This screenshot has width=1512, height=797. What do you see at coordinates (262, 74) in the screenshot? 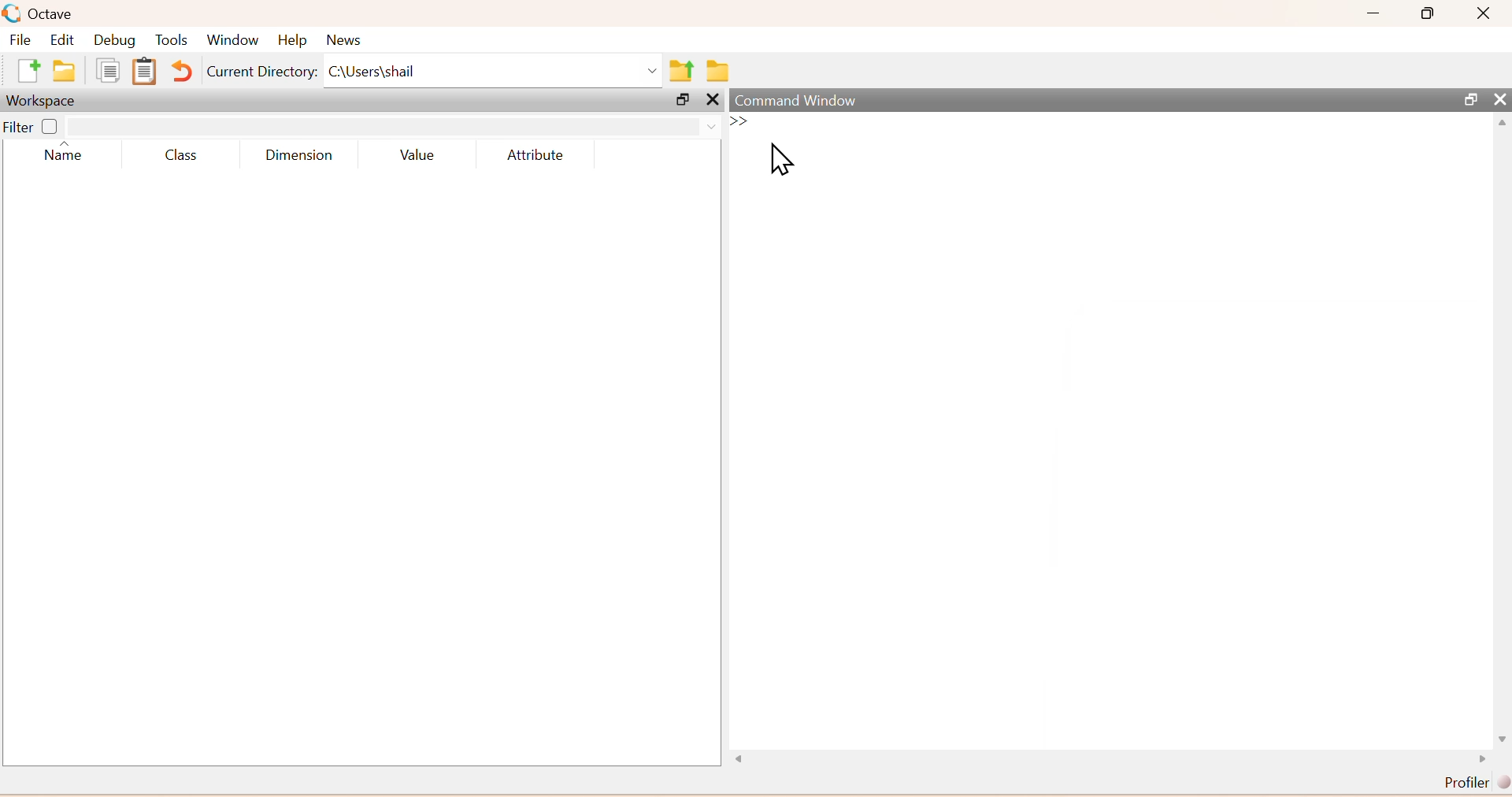
I see `Current Directory:` at bounding box center [262, 74].